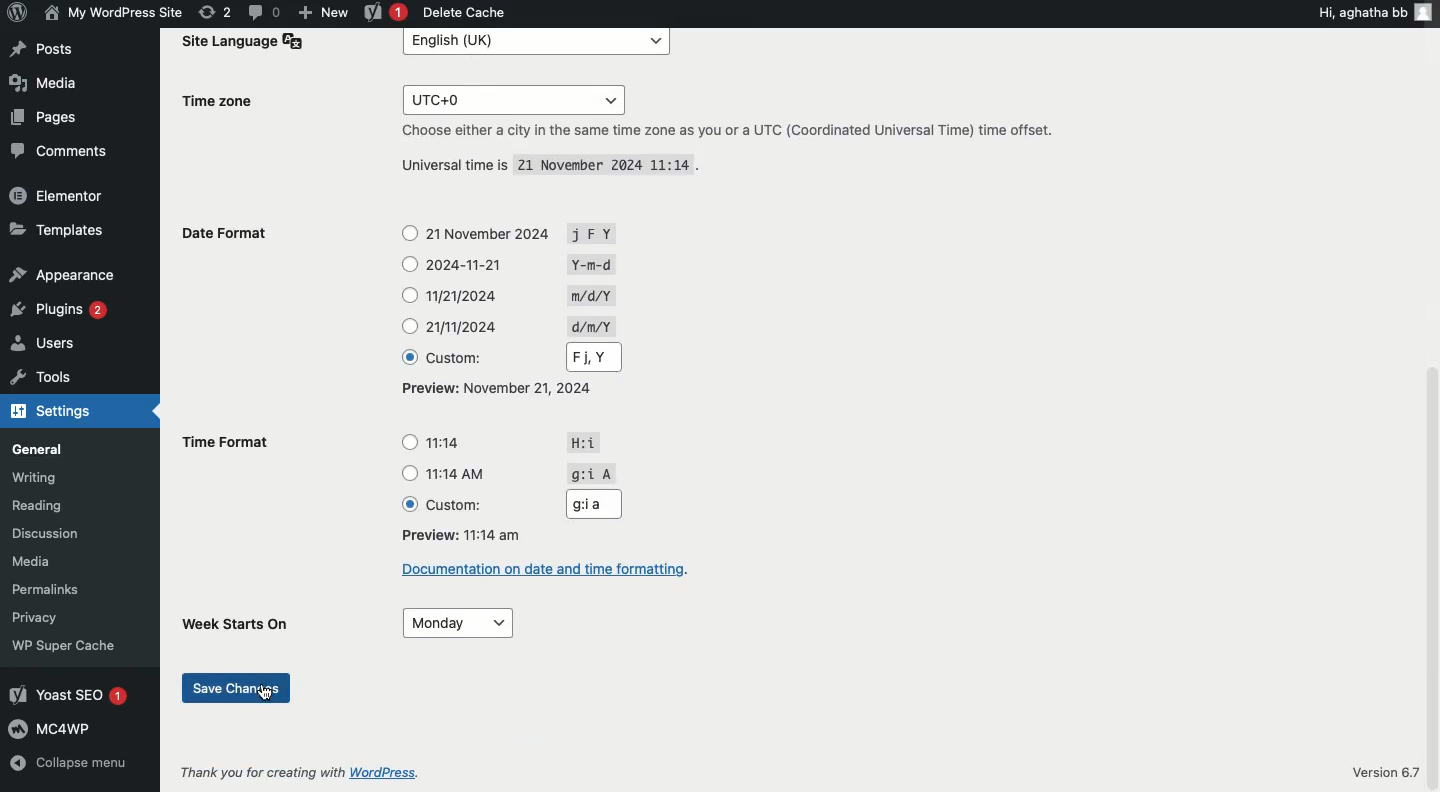 This screenshot has height=792, width=1440. I want to click on Yoast, so click(388, 12).